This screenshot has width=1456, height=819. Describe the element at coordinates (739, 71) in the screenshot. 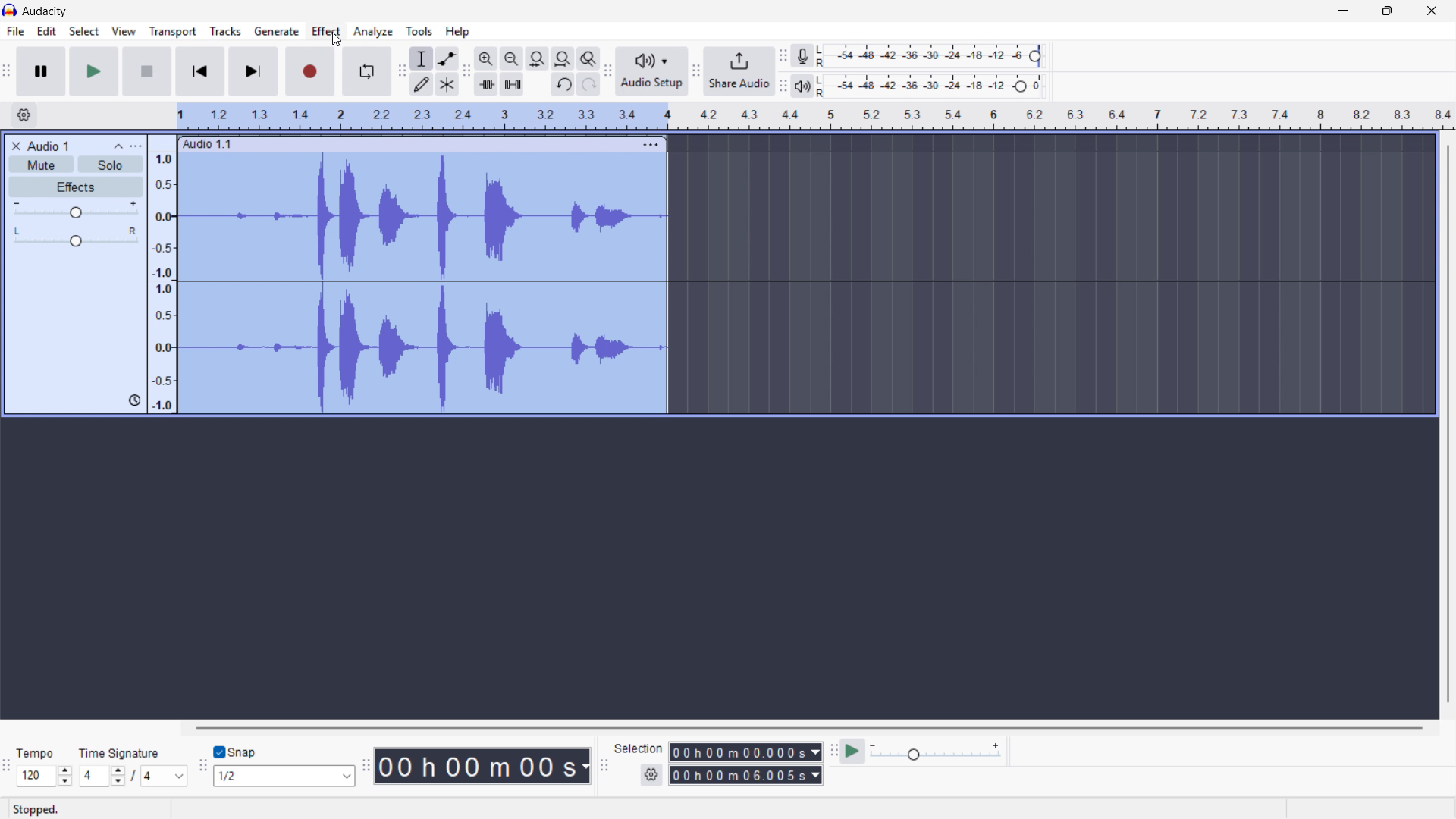

I see `Share audio` at that location.